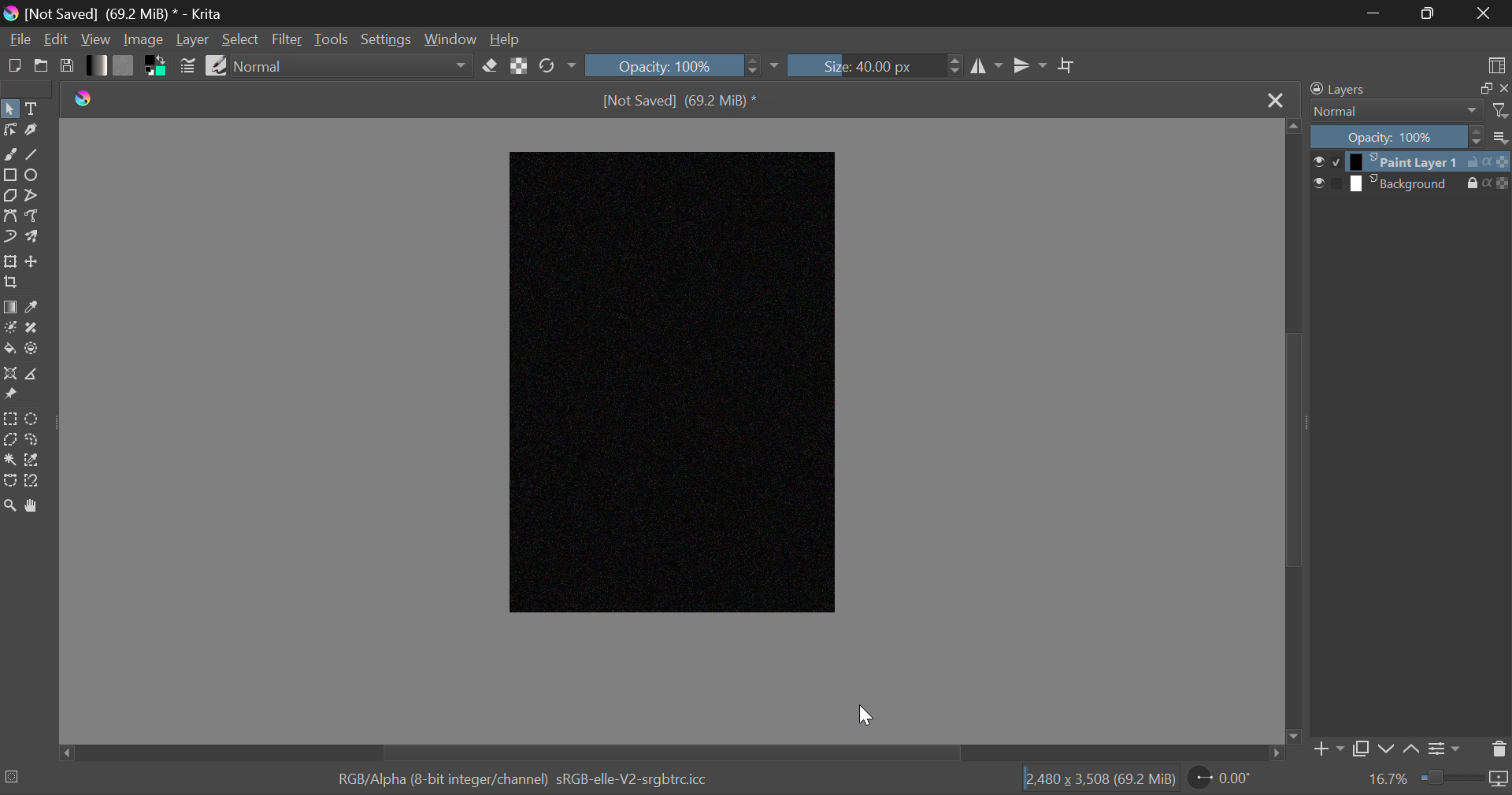 The image size is (1512, 795). I want to click on move down, so click(1293, 734).